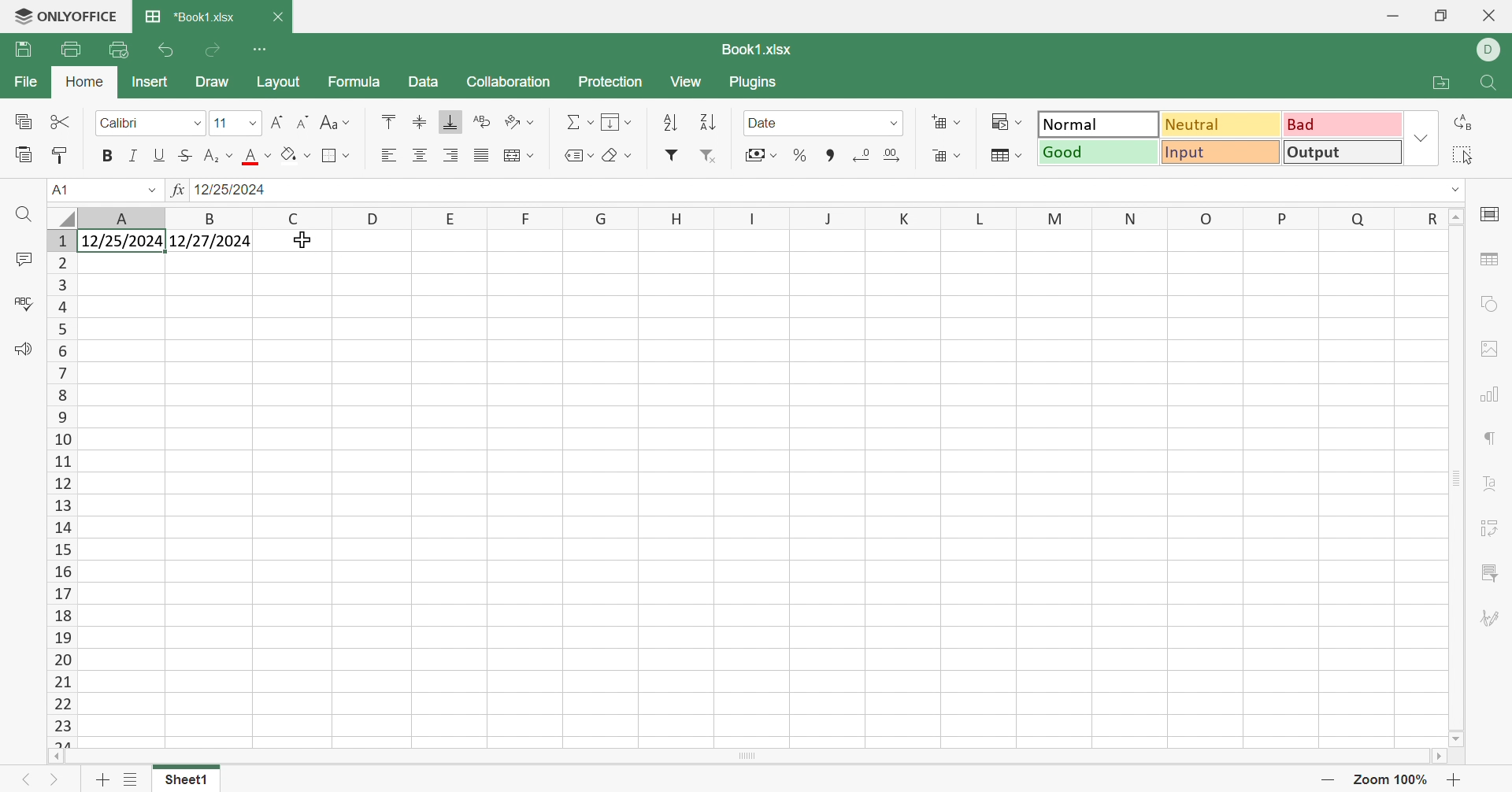  I want to click on File, so click(28, 82).